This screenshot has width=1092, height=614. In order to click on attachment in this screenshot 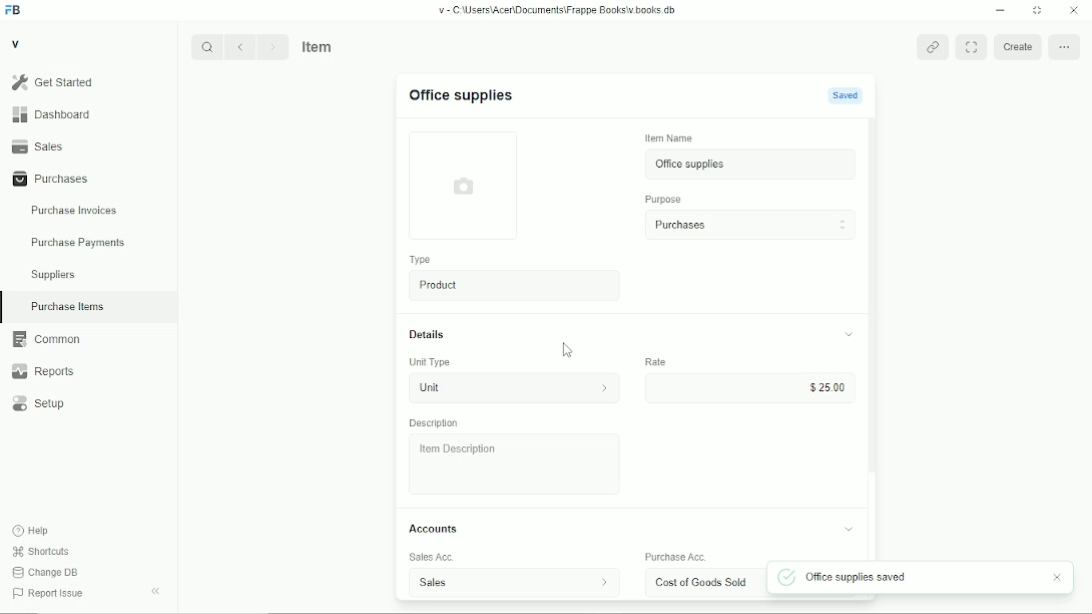, I will do `click(934, 47)`.